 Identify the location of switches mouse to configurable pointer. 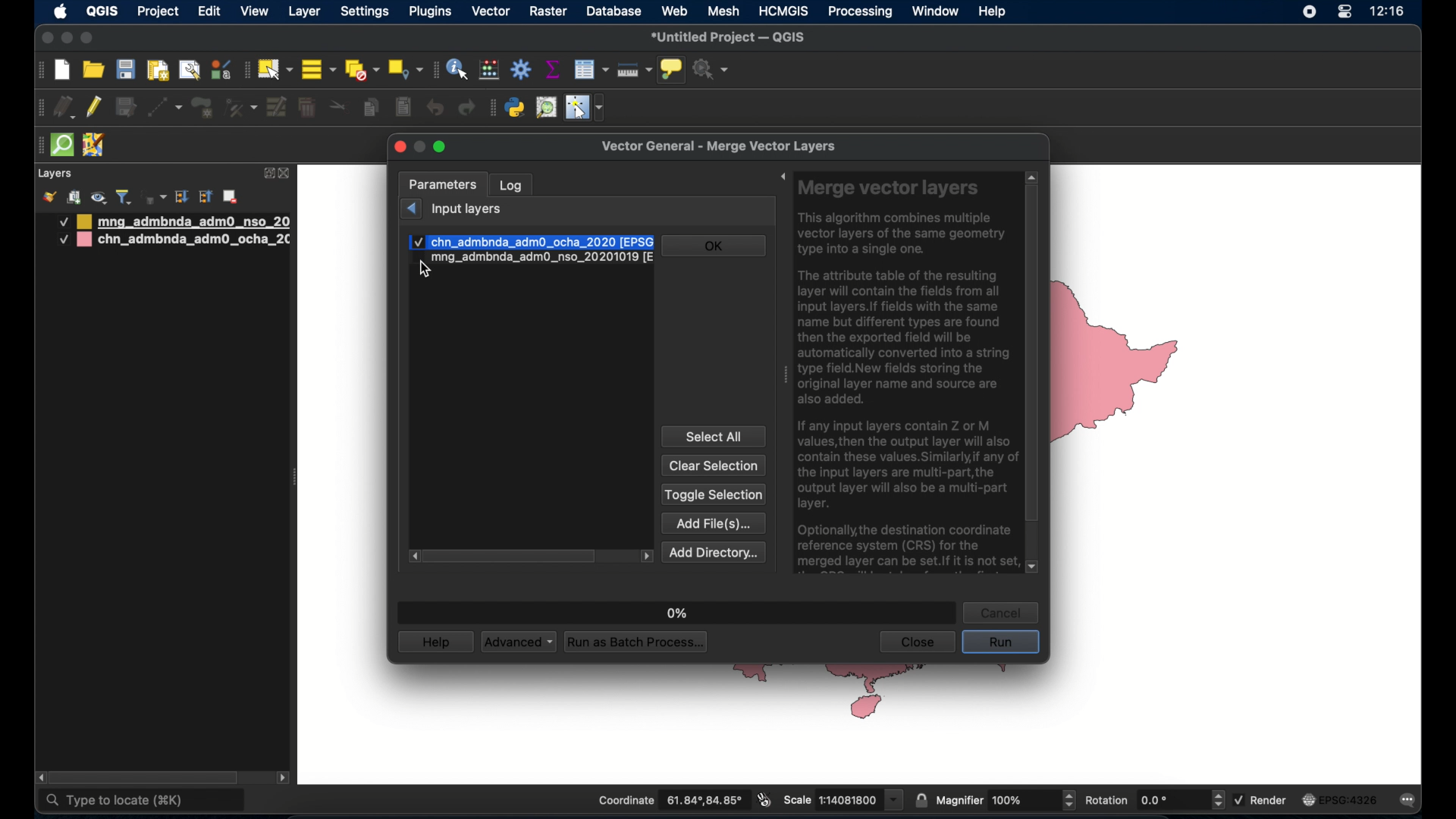
(586, 108).